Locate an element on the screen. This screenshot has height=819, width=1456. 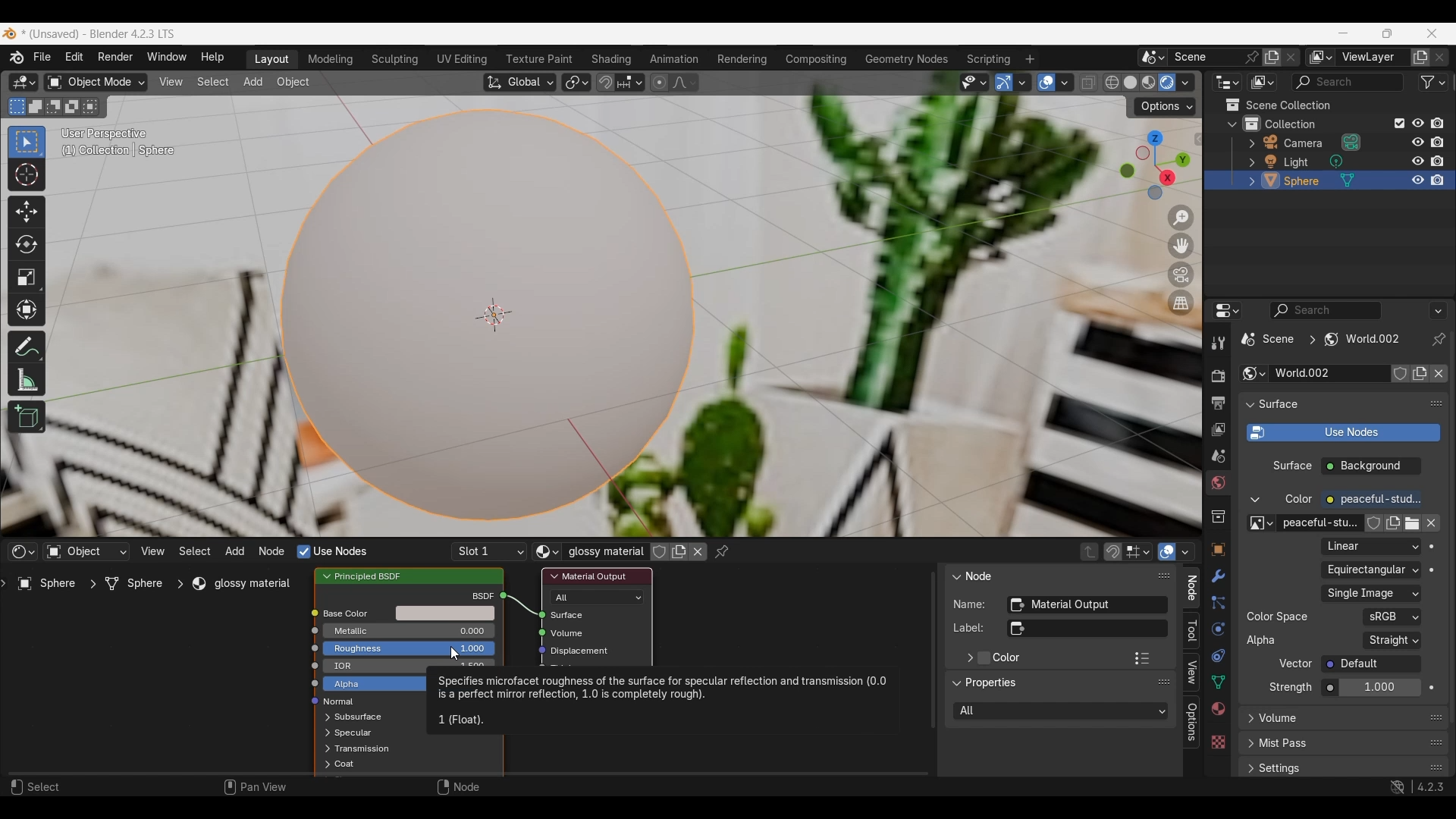
Output properties is located at coordinates (1216, 403).